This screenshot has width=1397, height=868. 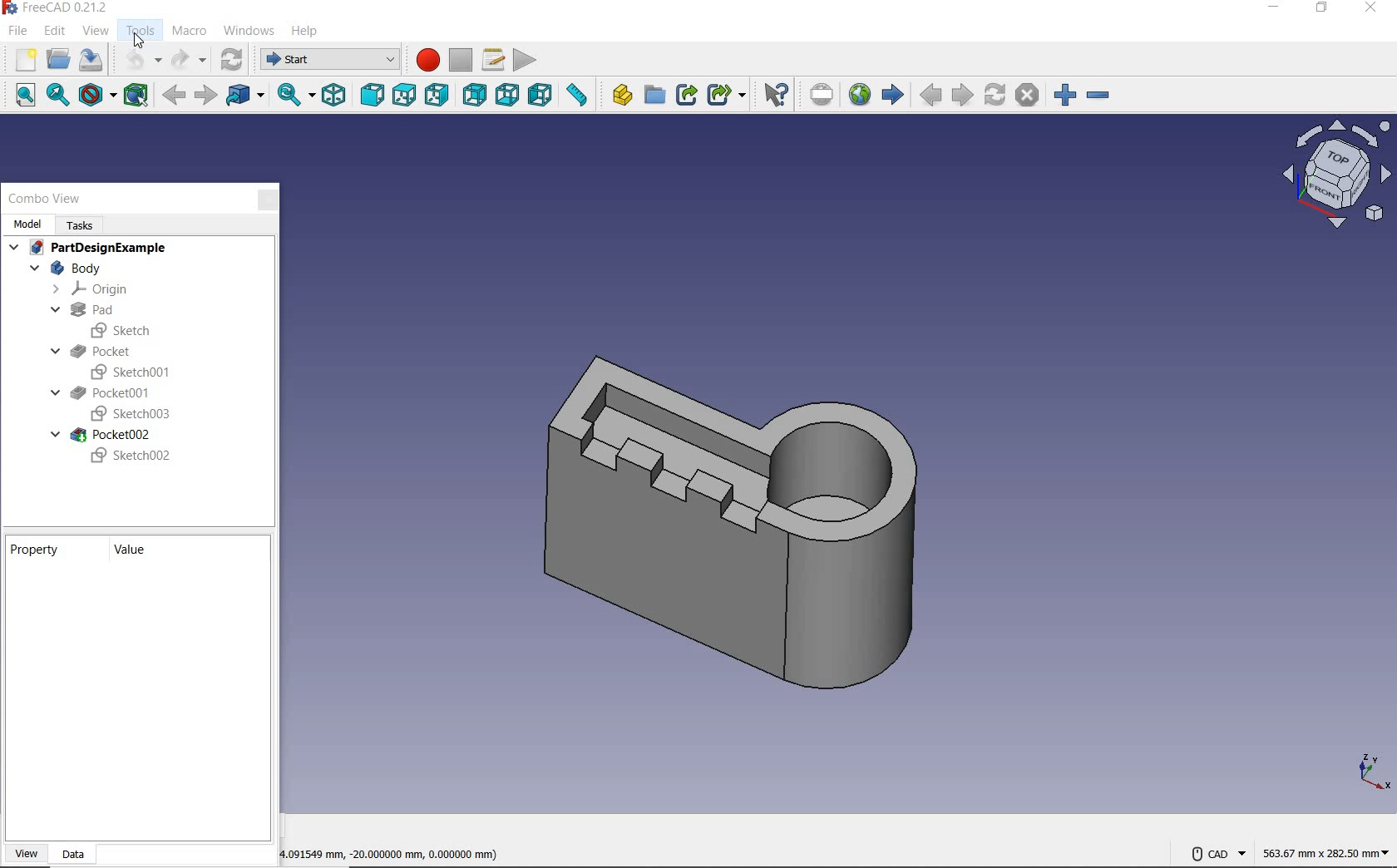 I want to click on Open, so click(x=57, y=60).